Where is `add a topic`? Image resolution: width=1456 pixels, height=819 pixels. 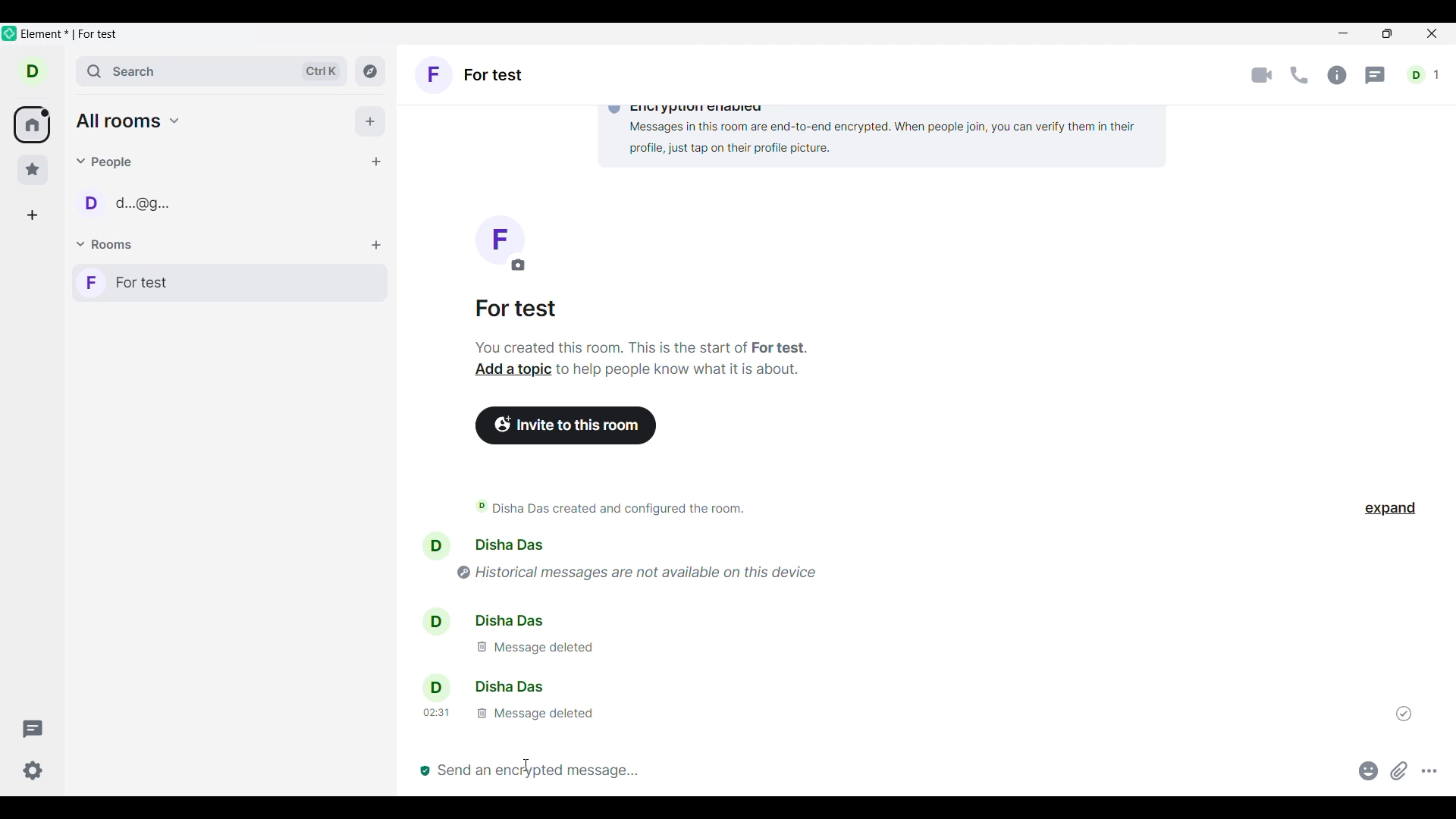 add a topic is located at coordinates (507, 372).